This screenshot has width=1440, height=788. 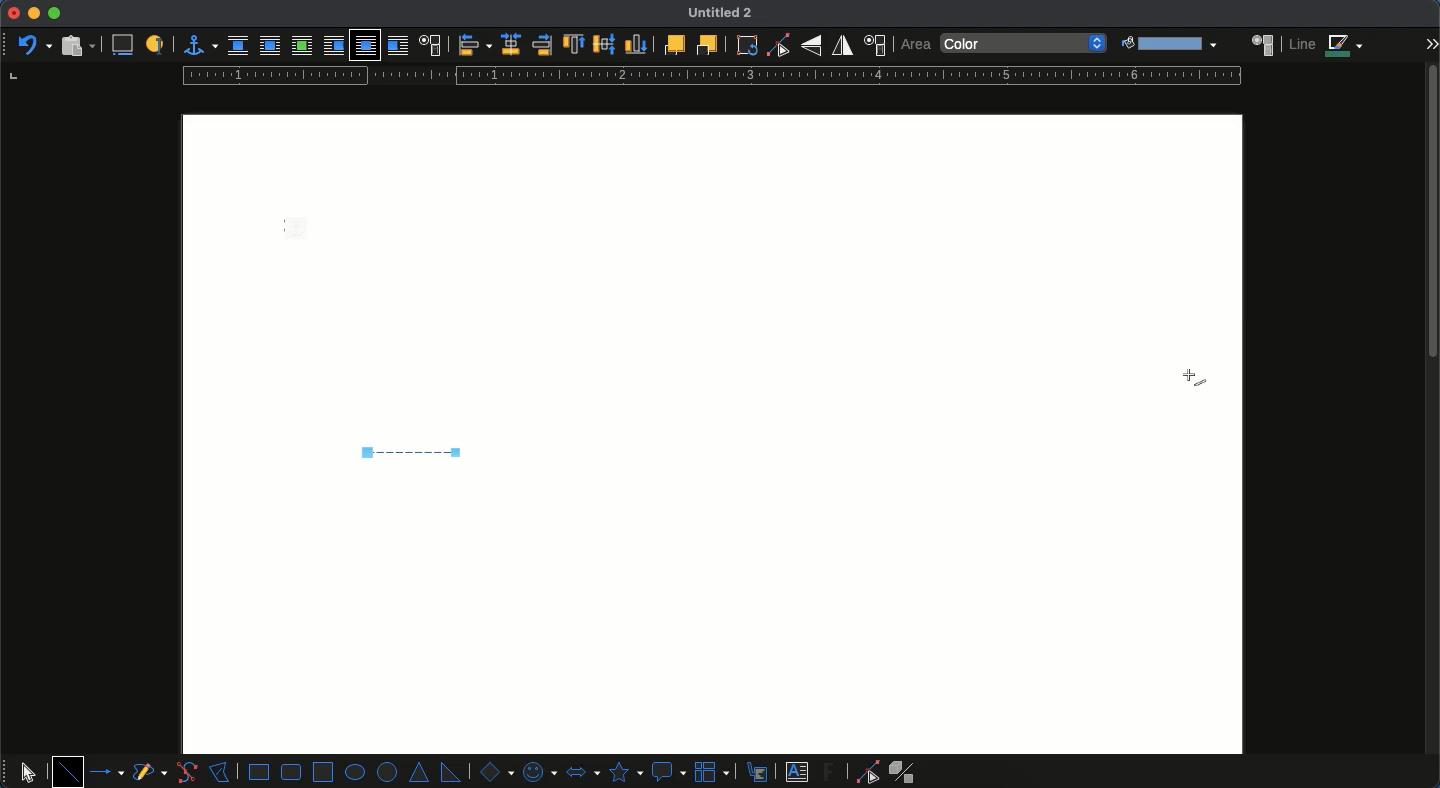 What do you see at coordinates (797, 772) in the screenshot?
I see `text box` at bounding box center [797, 772].